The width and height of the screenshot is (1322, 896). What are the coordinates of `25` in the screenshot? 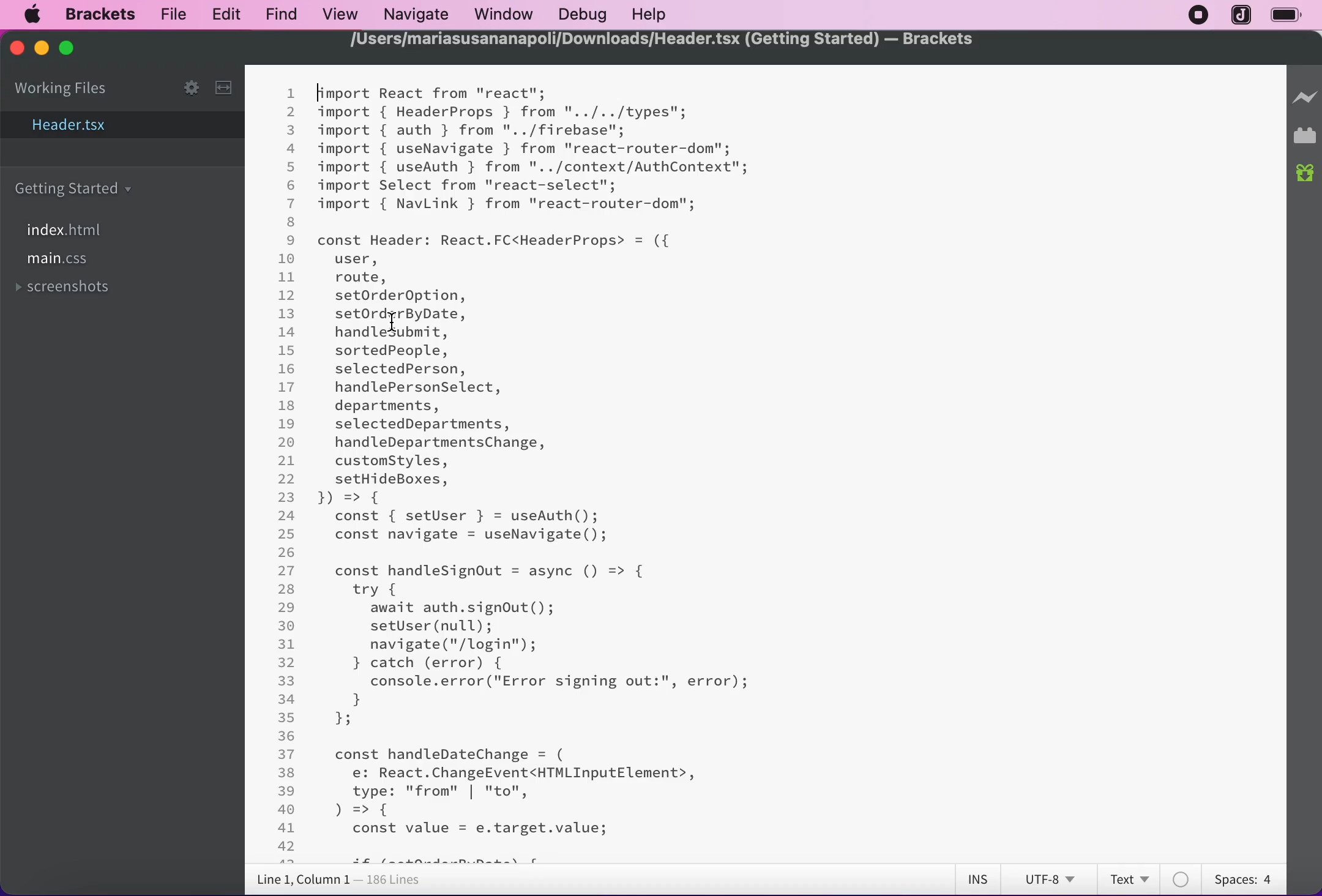 It's located at (287, 534).